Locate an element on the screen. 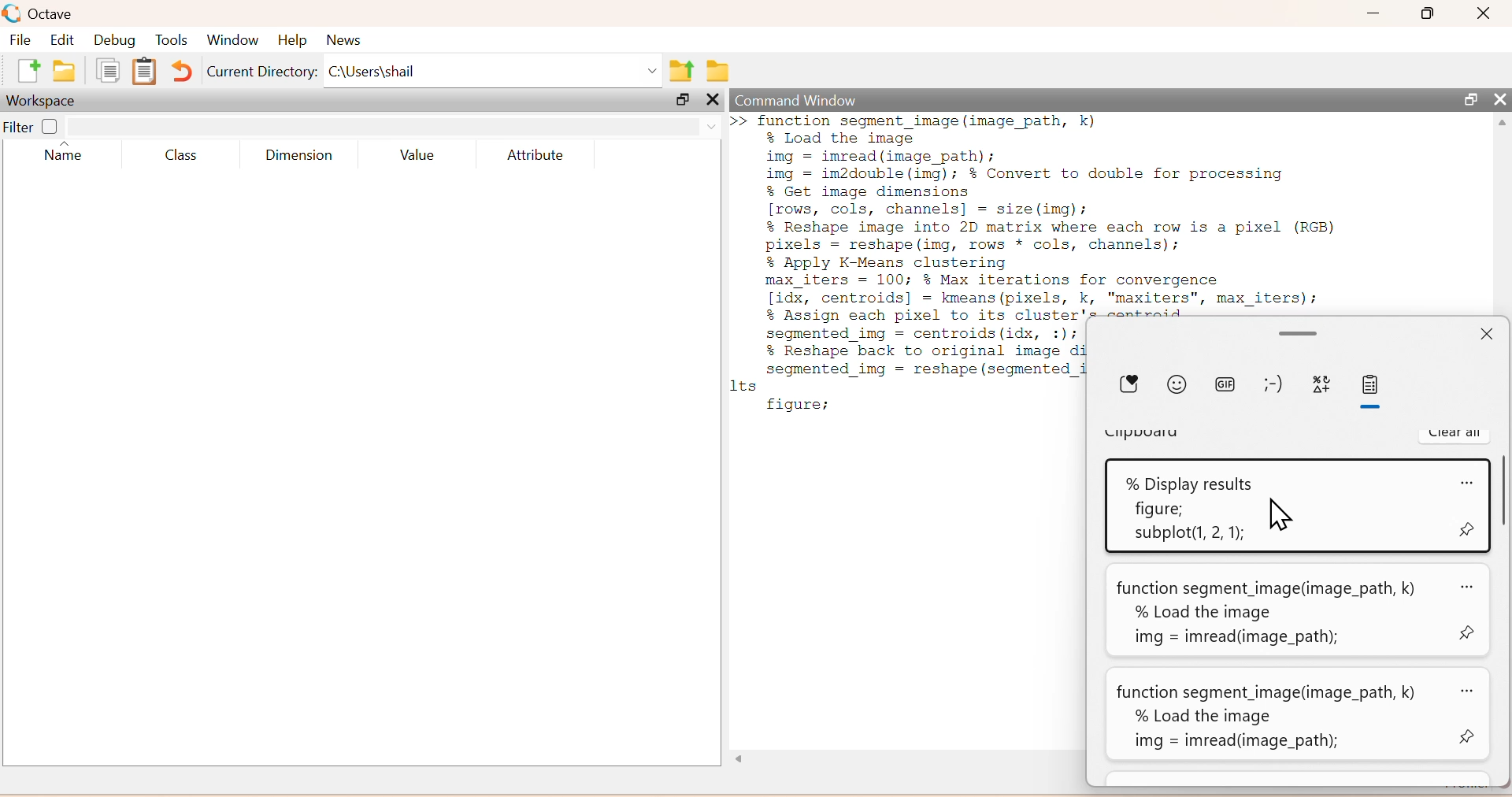 The width and height of the screenshot is (1512, 797). scroll up is located at coordinates (1500, 124).